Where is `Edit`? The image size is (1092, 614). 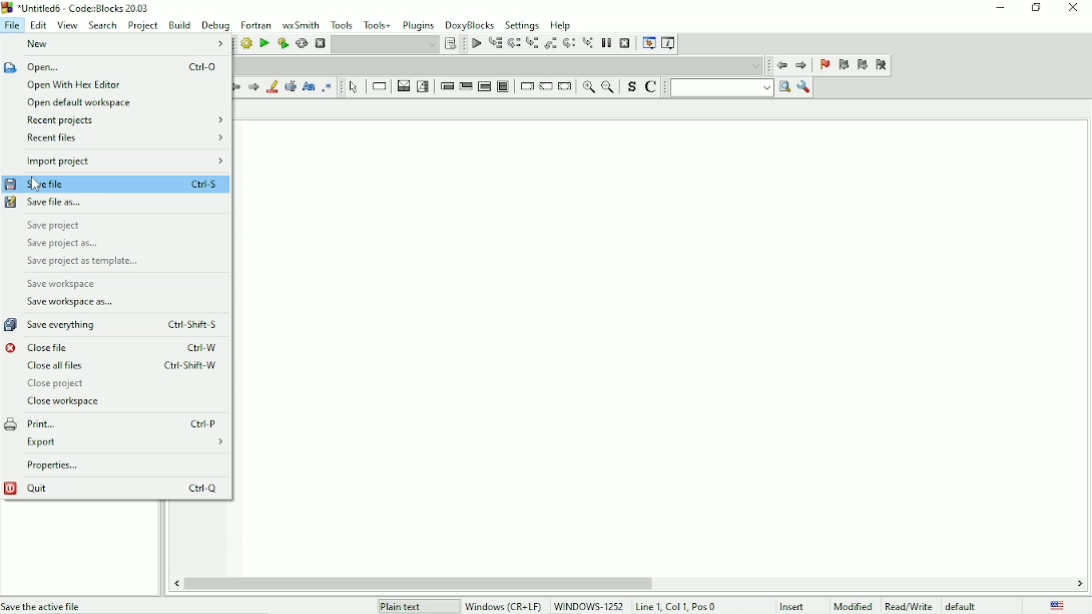 Edit is located at coordinates (39, 25).